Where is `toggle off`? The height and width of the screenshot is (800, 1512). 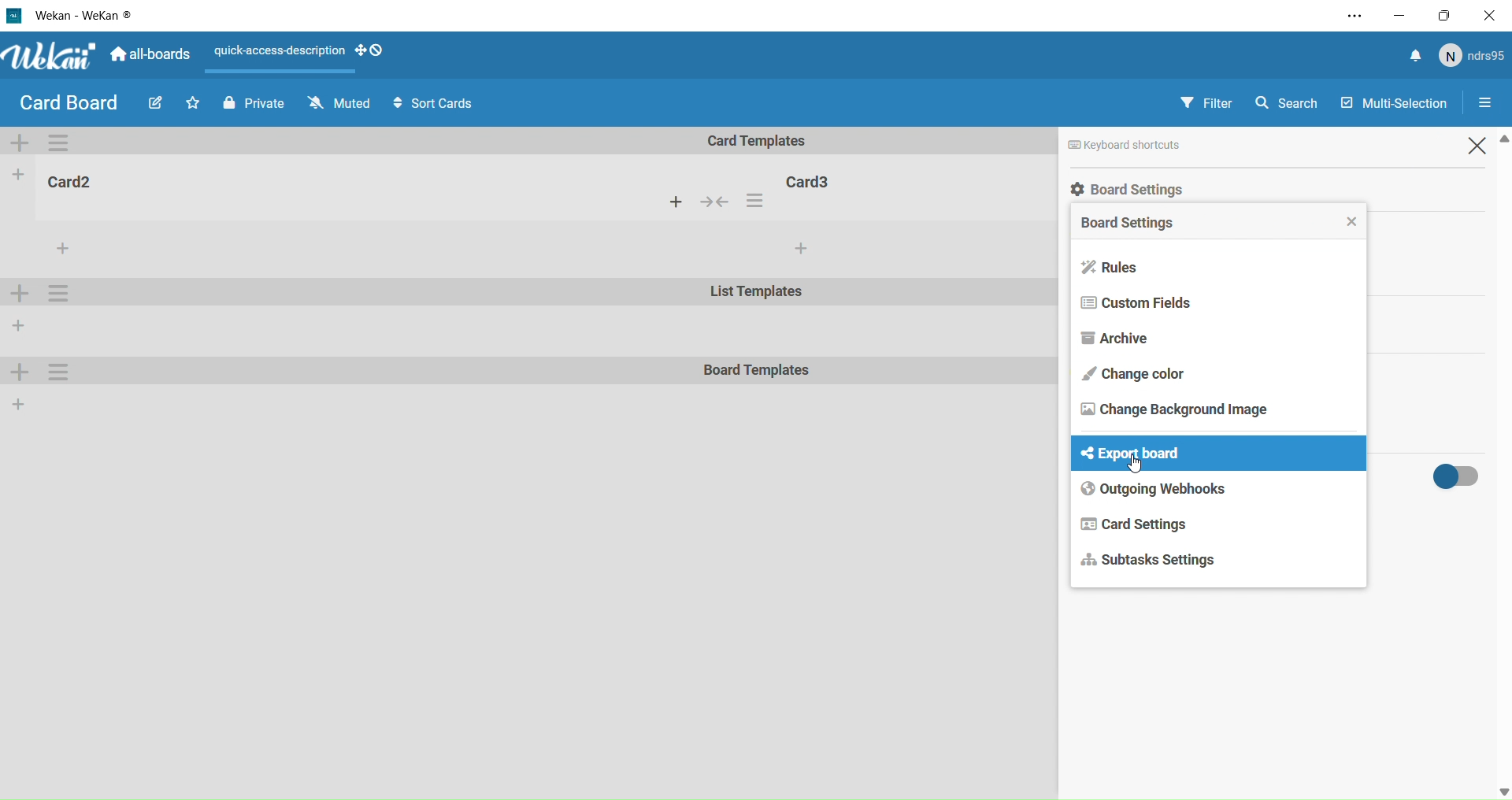 toggle off is located at coordinates (1464, 476).